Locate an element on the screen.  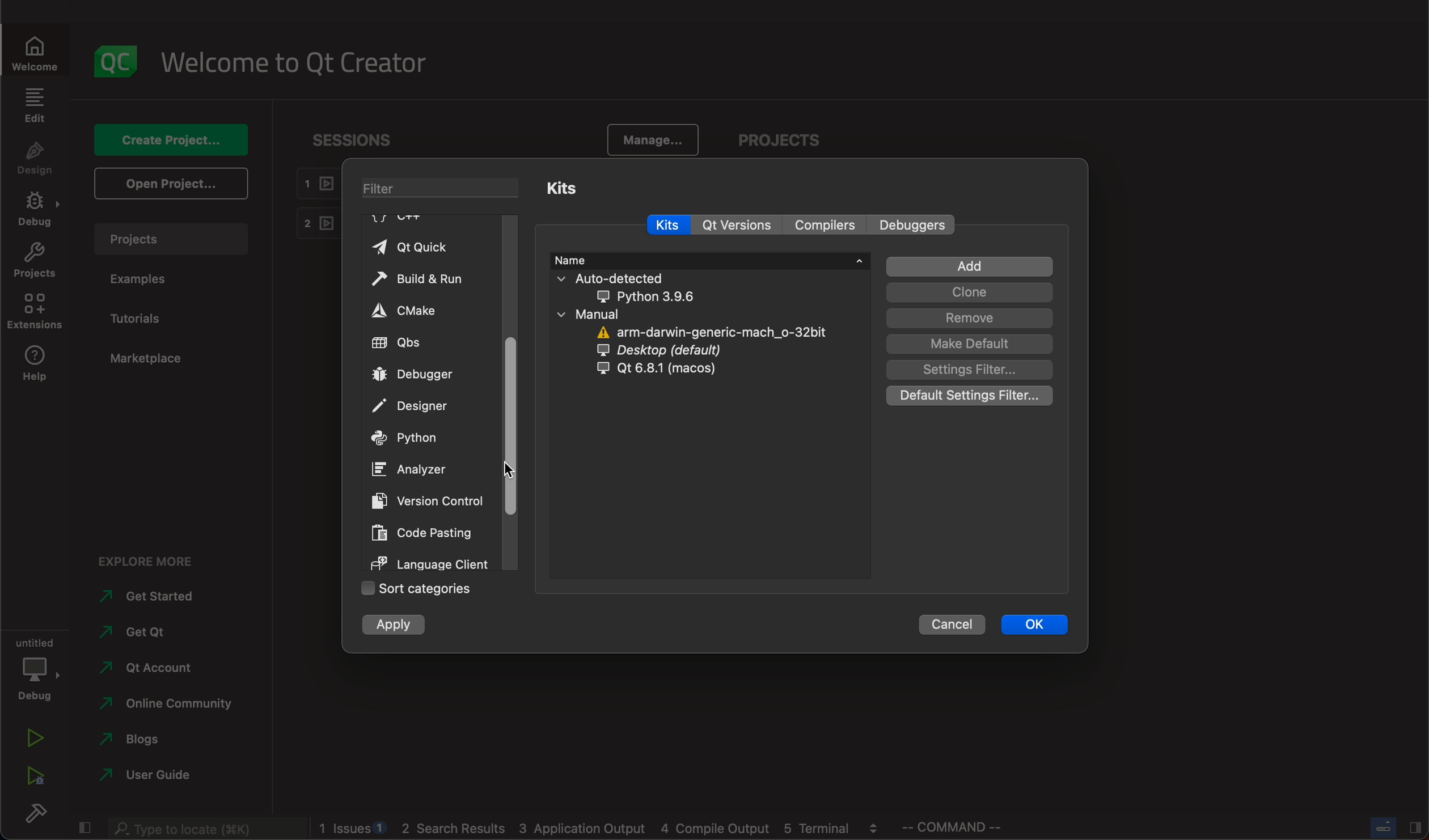
manage is located at coordinates (653, 139).